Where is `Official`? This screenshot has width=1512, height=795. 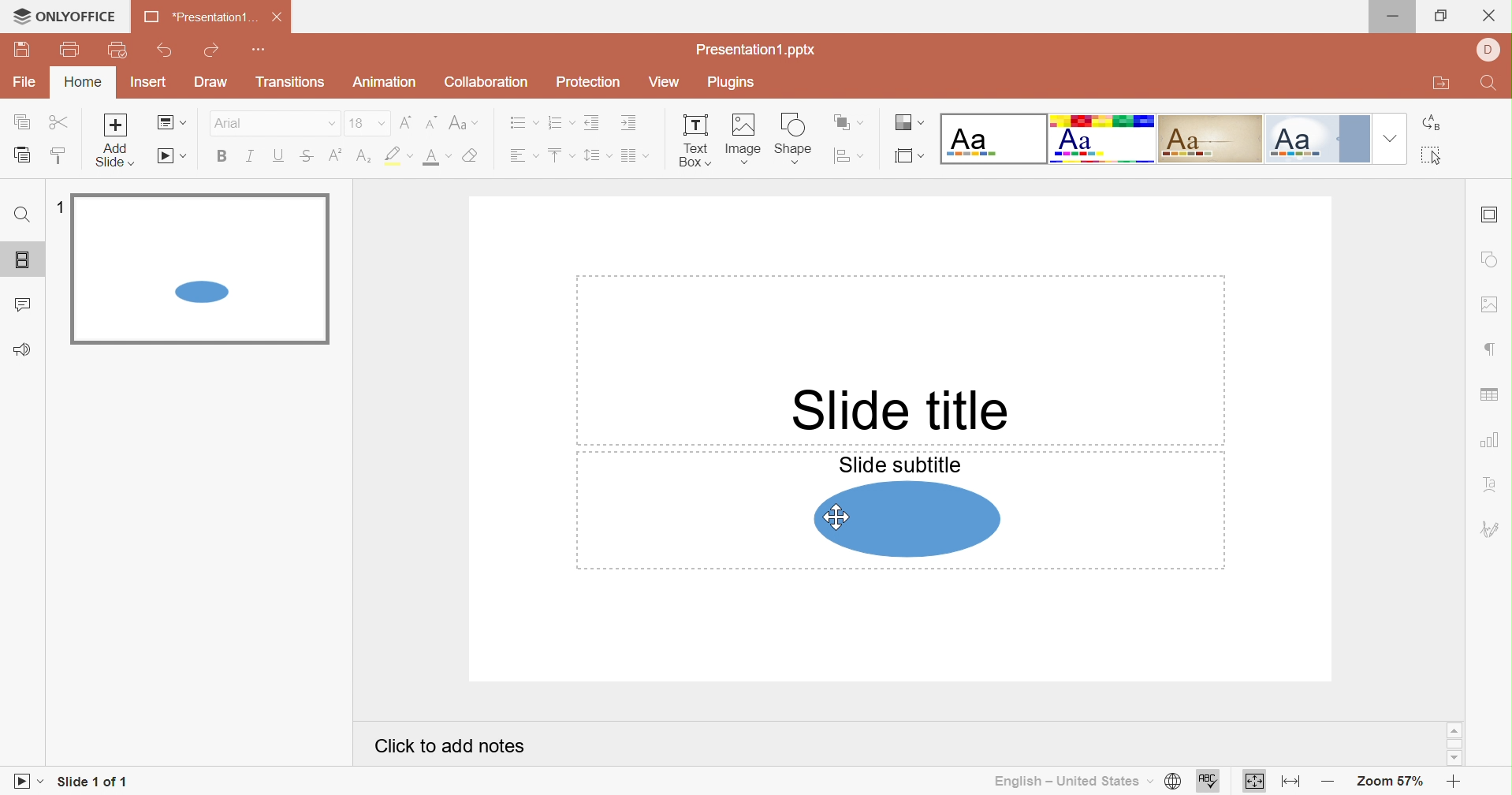 Official is located at coordinates (1321, 140).